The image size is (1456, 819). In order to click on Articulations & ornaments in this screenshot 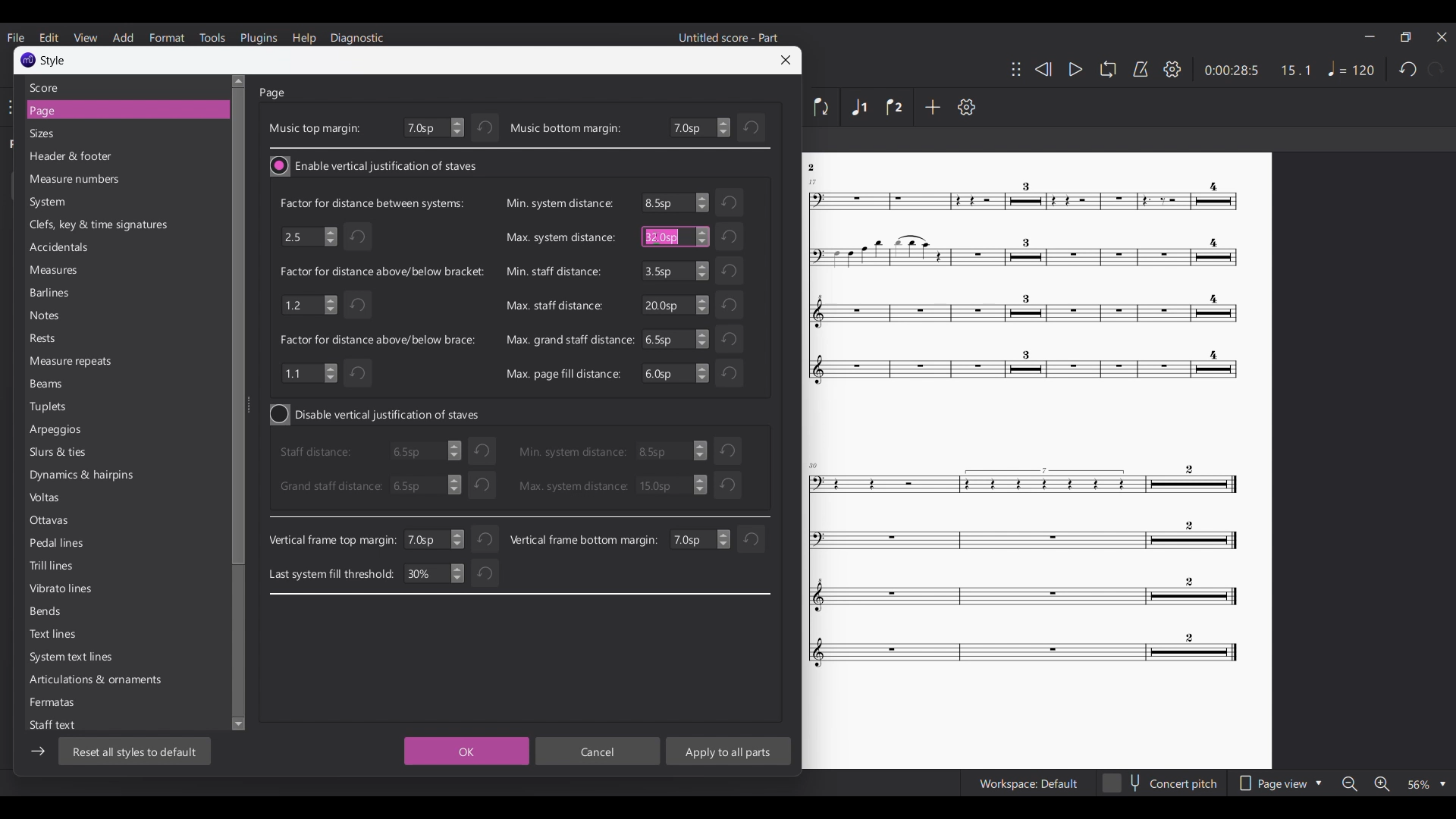, I will do `click(94, 681)`.